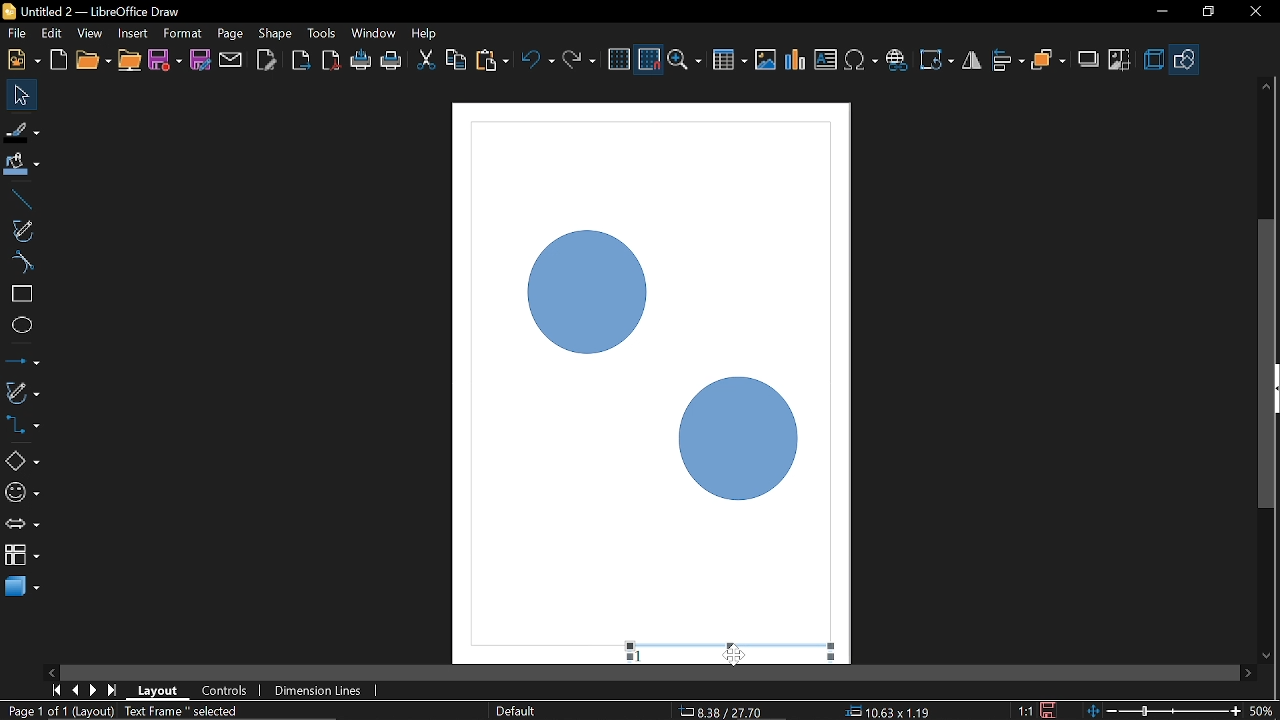  Describe the element at coordinates (687, 61) in the screenshot. I see `Zoom` at that location.